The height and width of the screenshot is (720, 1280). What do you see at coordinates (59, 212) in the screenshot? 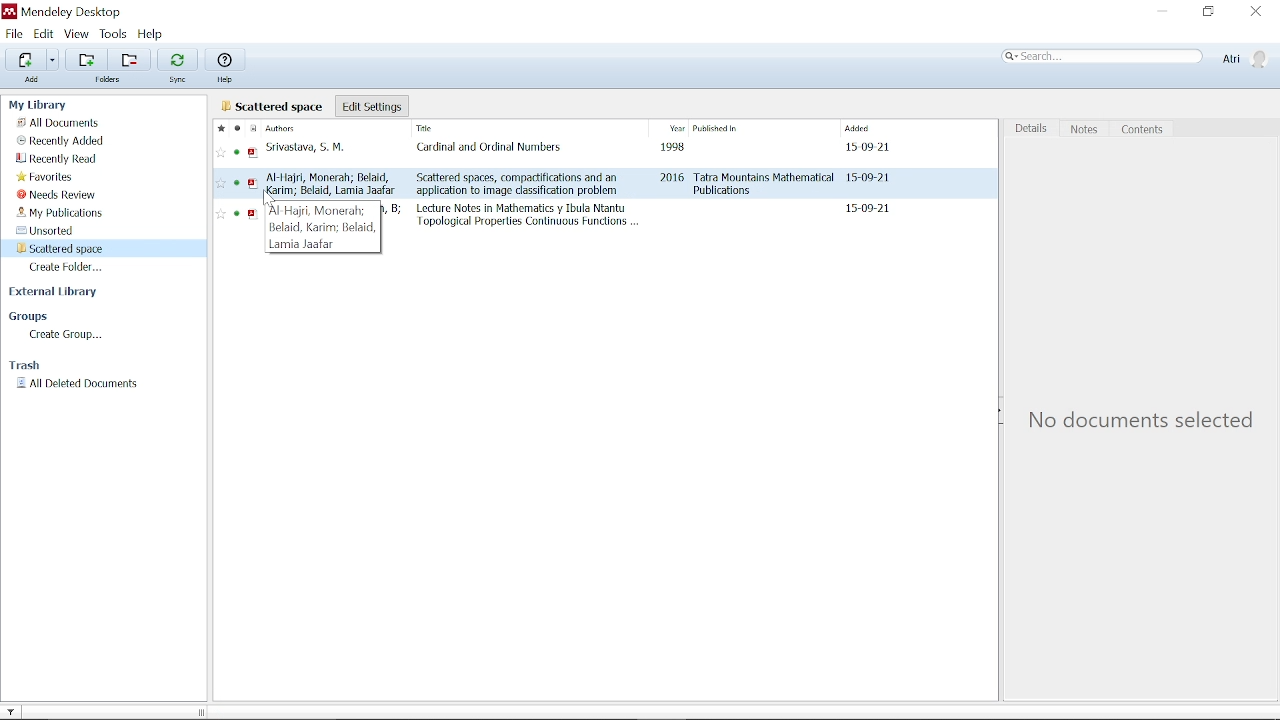
I see `My publications` at bounding box center [59, 212].